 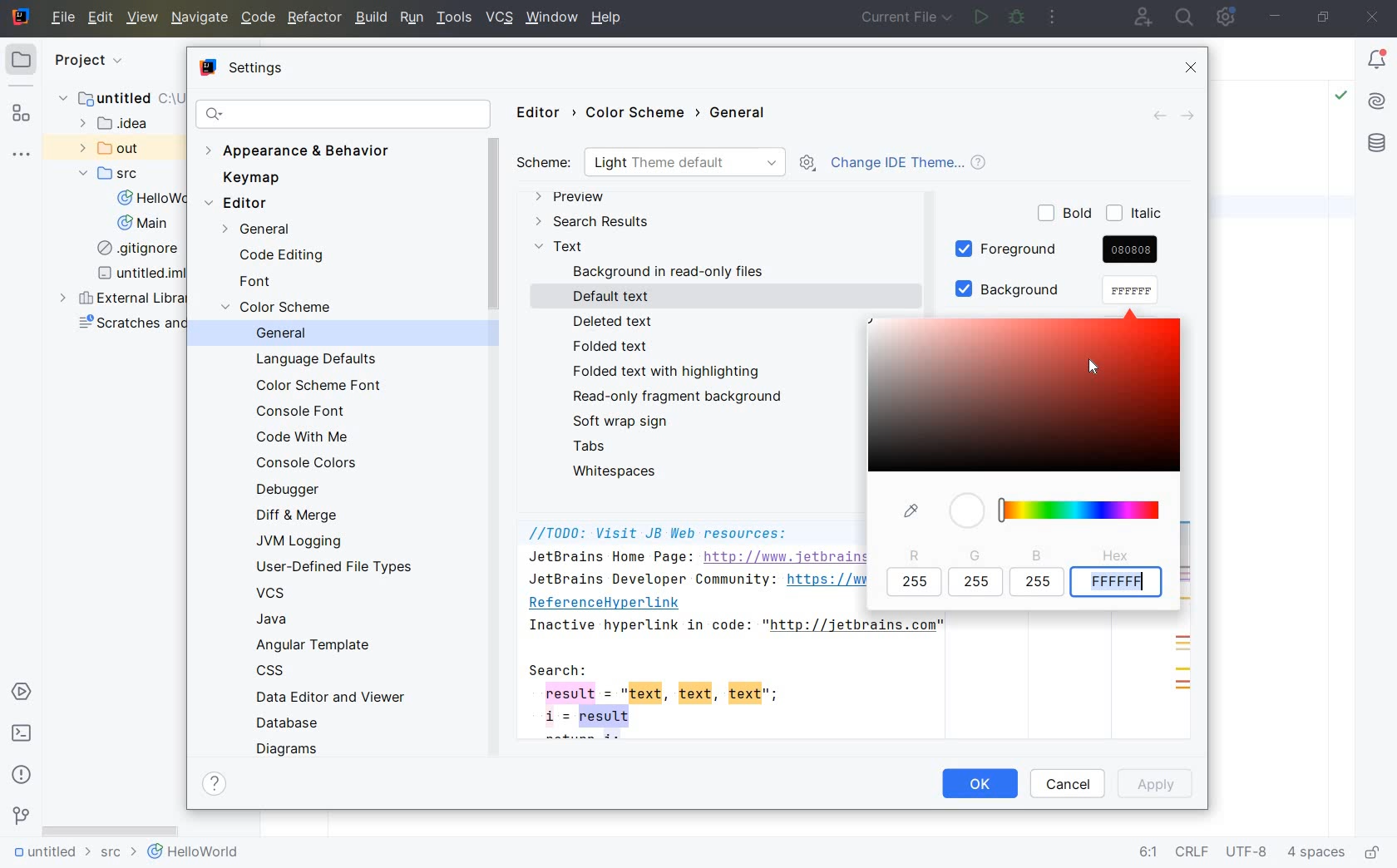 What do you see at coordinates (1066, 214) in the screenshot?
I see `BOLD` at bounding box center [1066, 214].